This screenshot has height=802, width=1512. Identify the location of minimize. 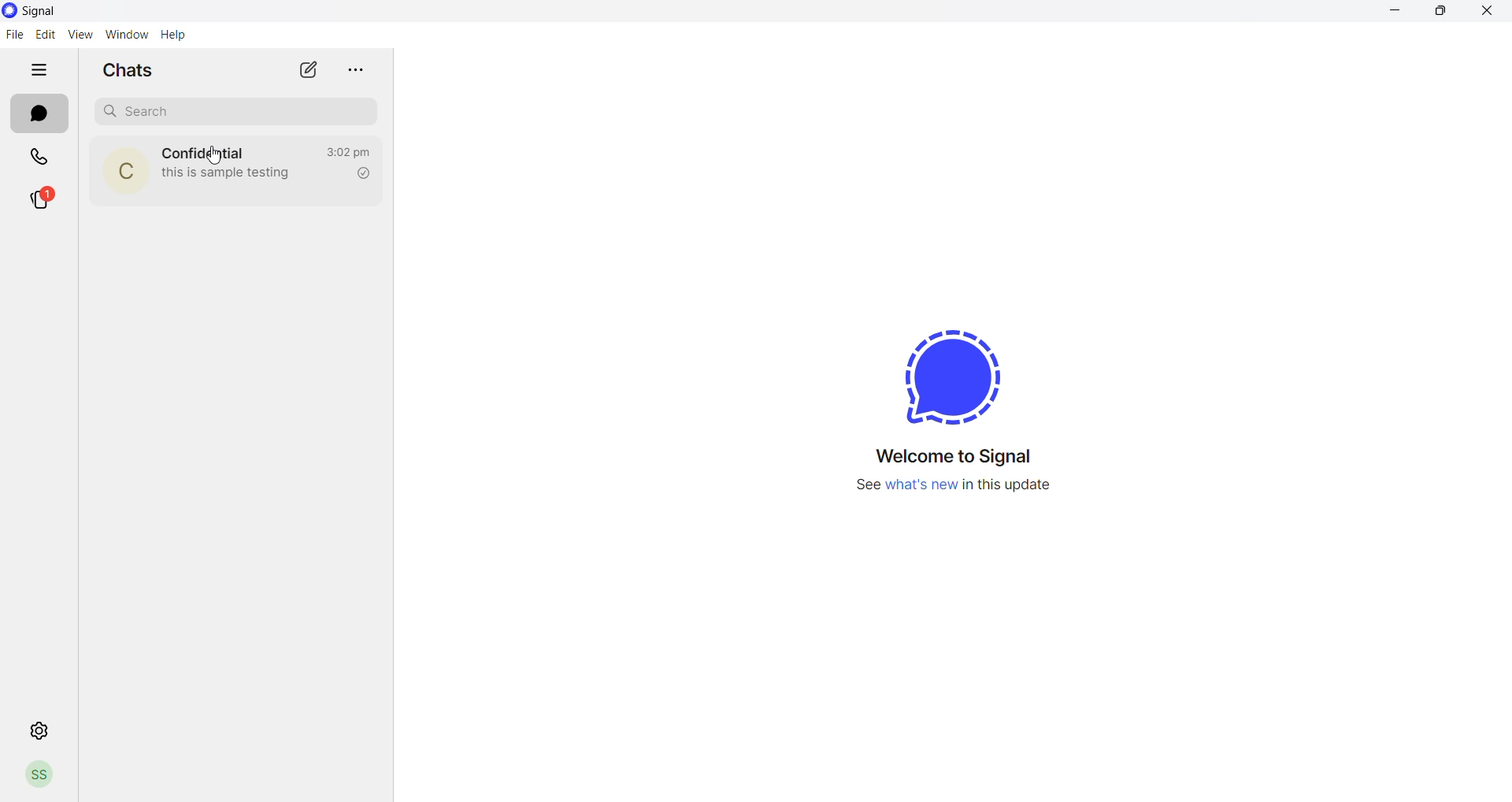
(1396, 12).